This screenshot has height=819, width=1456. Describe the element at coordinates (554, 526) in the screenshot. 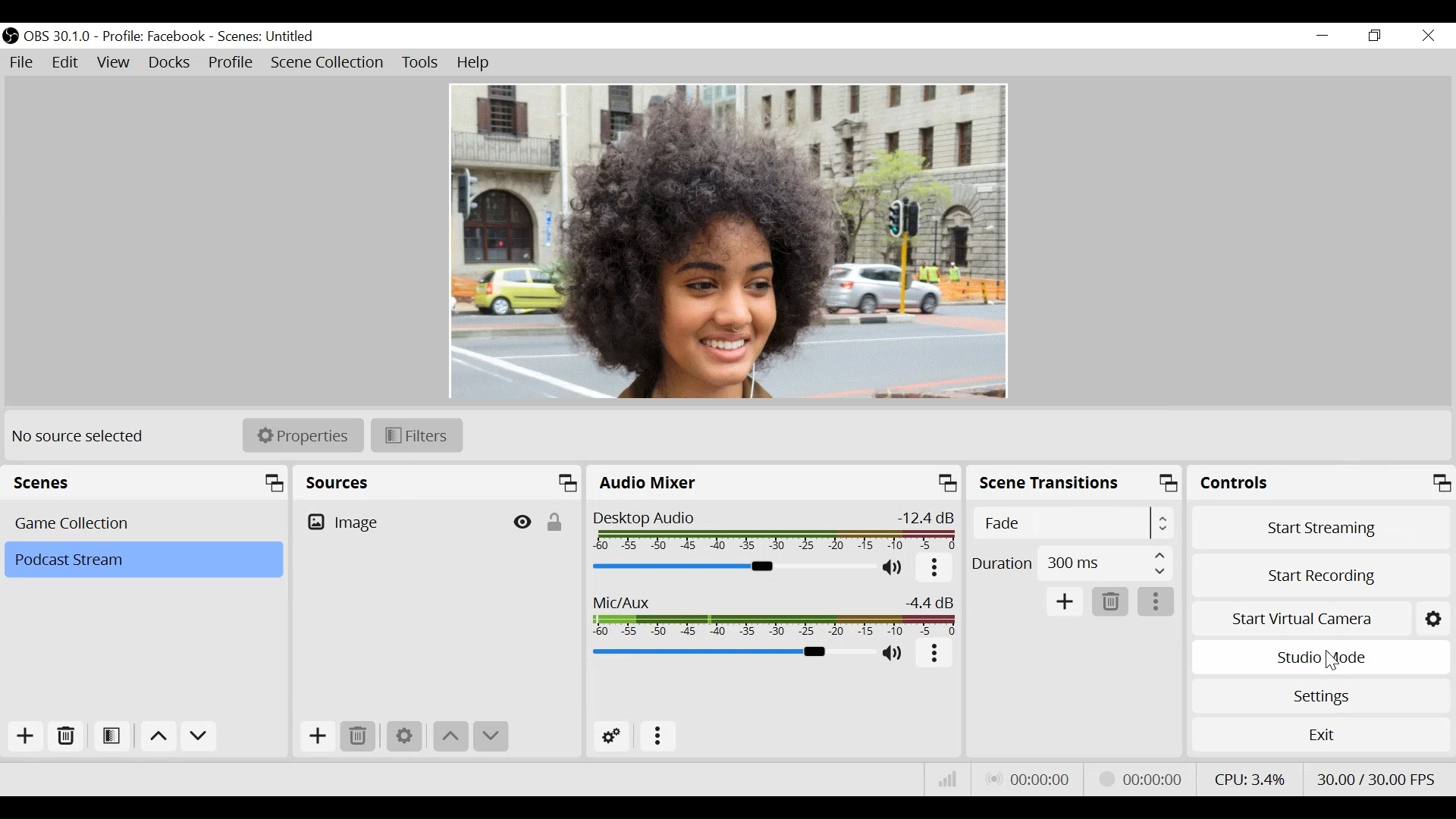

I see `(un)lock` at that location.